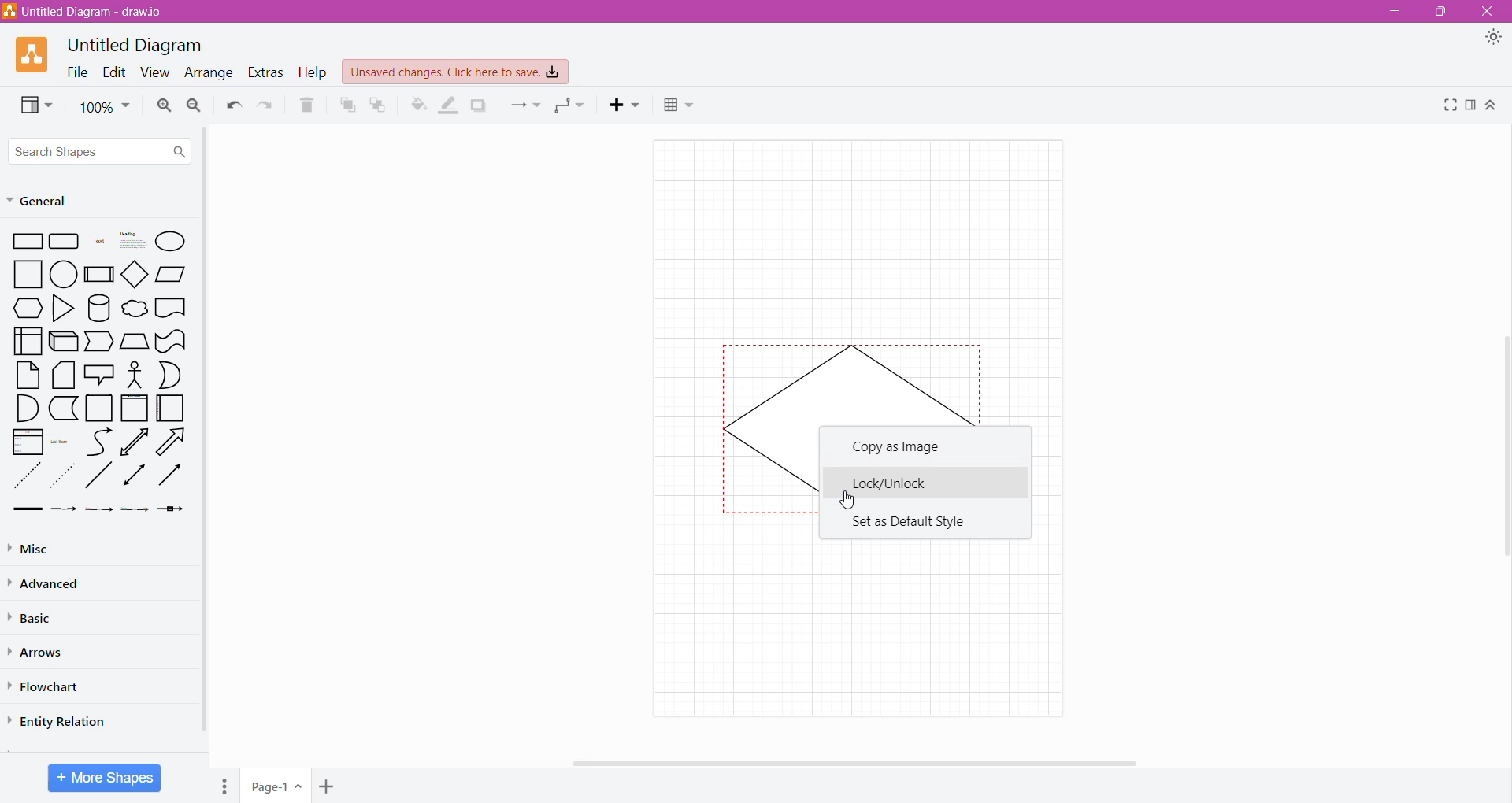 The height and width of the screenshot is (803, 1512). Describe the element at coordinates (28, 479) in the screenshot. I see `Dashed Line` at that location.